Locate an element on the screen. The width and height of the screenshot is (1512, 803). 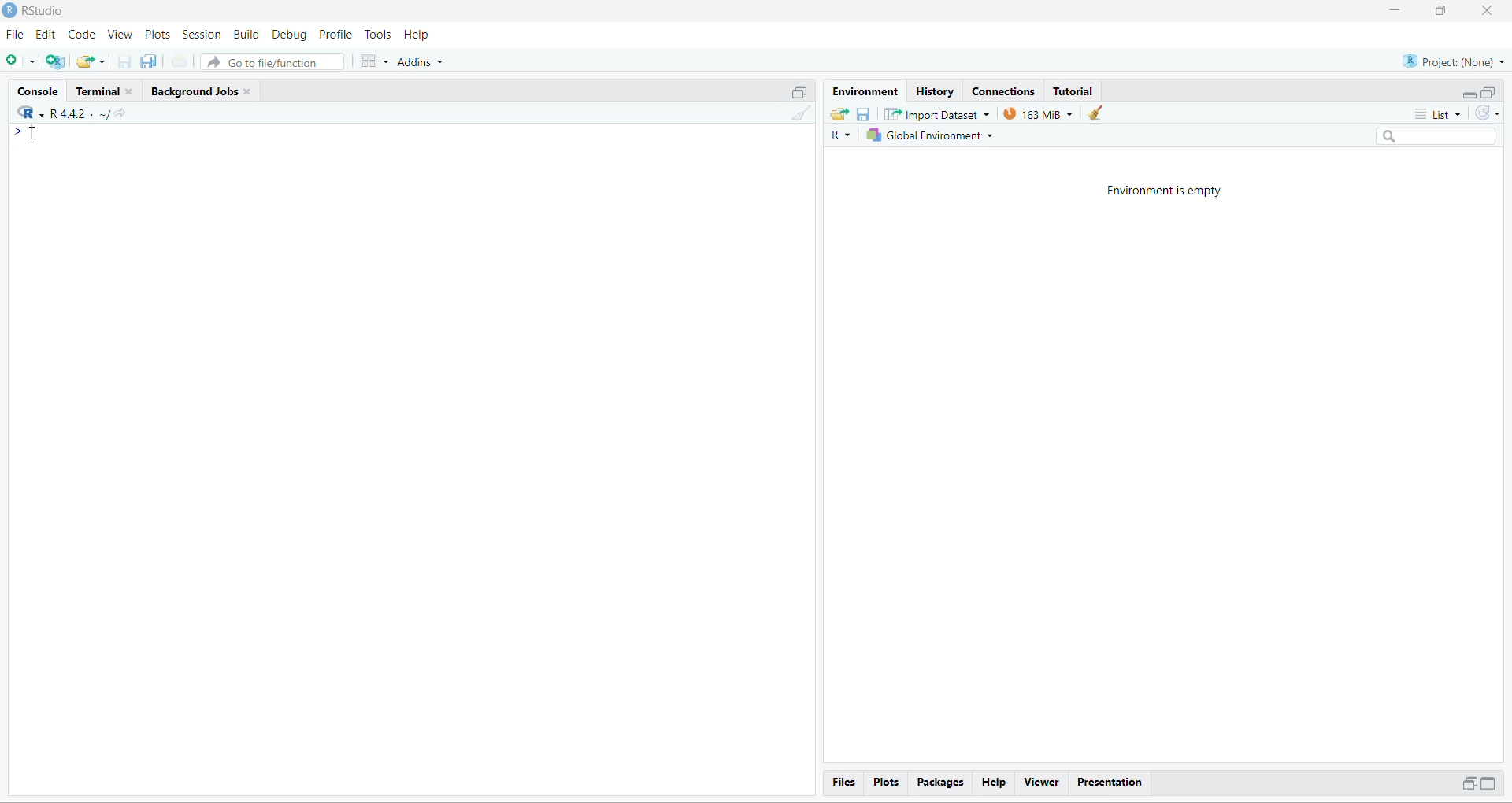
Project: (None) is located at coordinates (1455, 61).